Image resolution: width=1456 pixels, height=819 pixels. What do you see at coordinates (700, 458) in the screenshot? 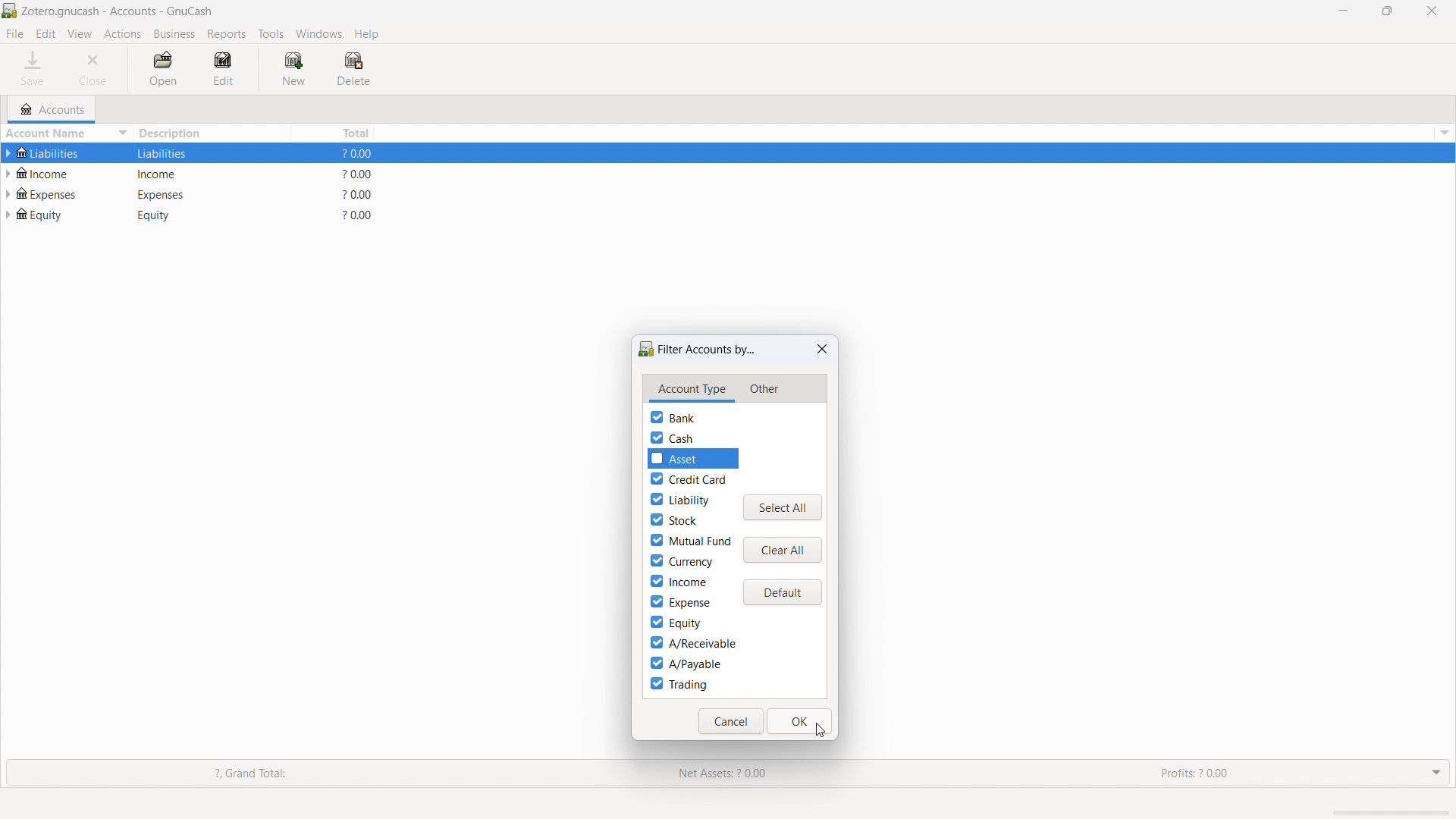
I see `asset` at bounding box center [700, 458].